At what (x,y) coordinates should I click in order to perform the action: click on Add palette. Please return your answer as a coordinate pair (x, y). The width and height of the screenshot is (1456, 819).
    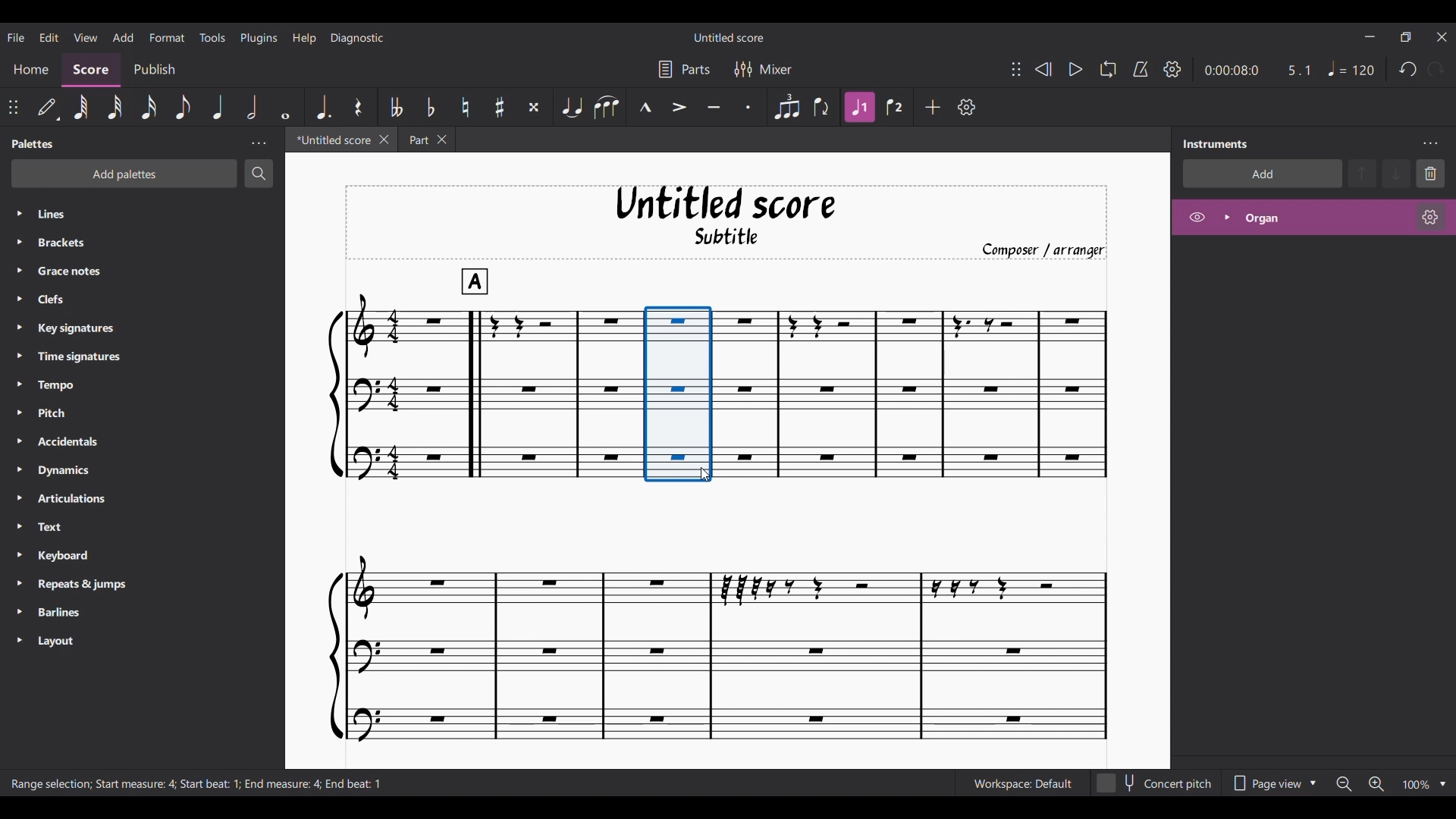
    Looking at the image, I should click on (125, 174).